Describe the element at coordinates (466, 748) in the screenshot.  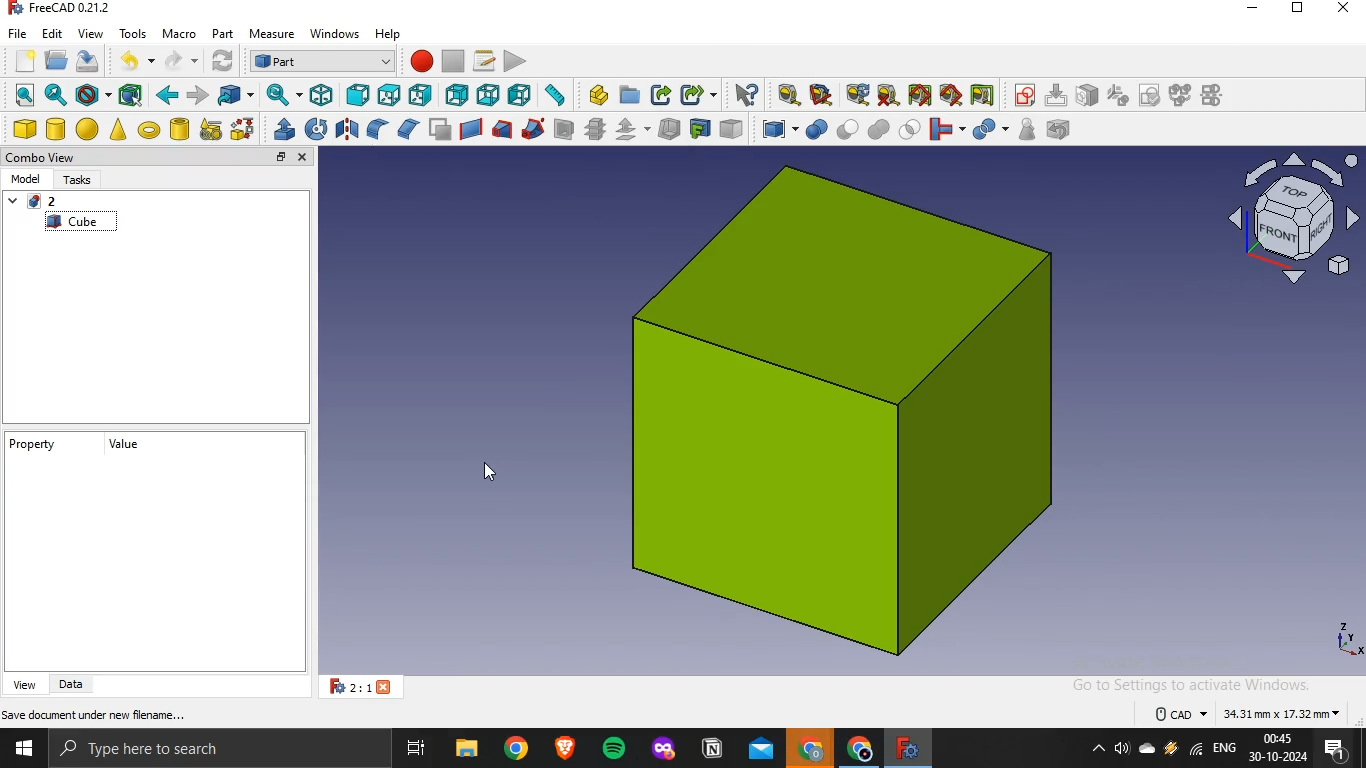
I see `file explorer` at that location.